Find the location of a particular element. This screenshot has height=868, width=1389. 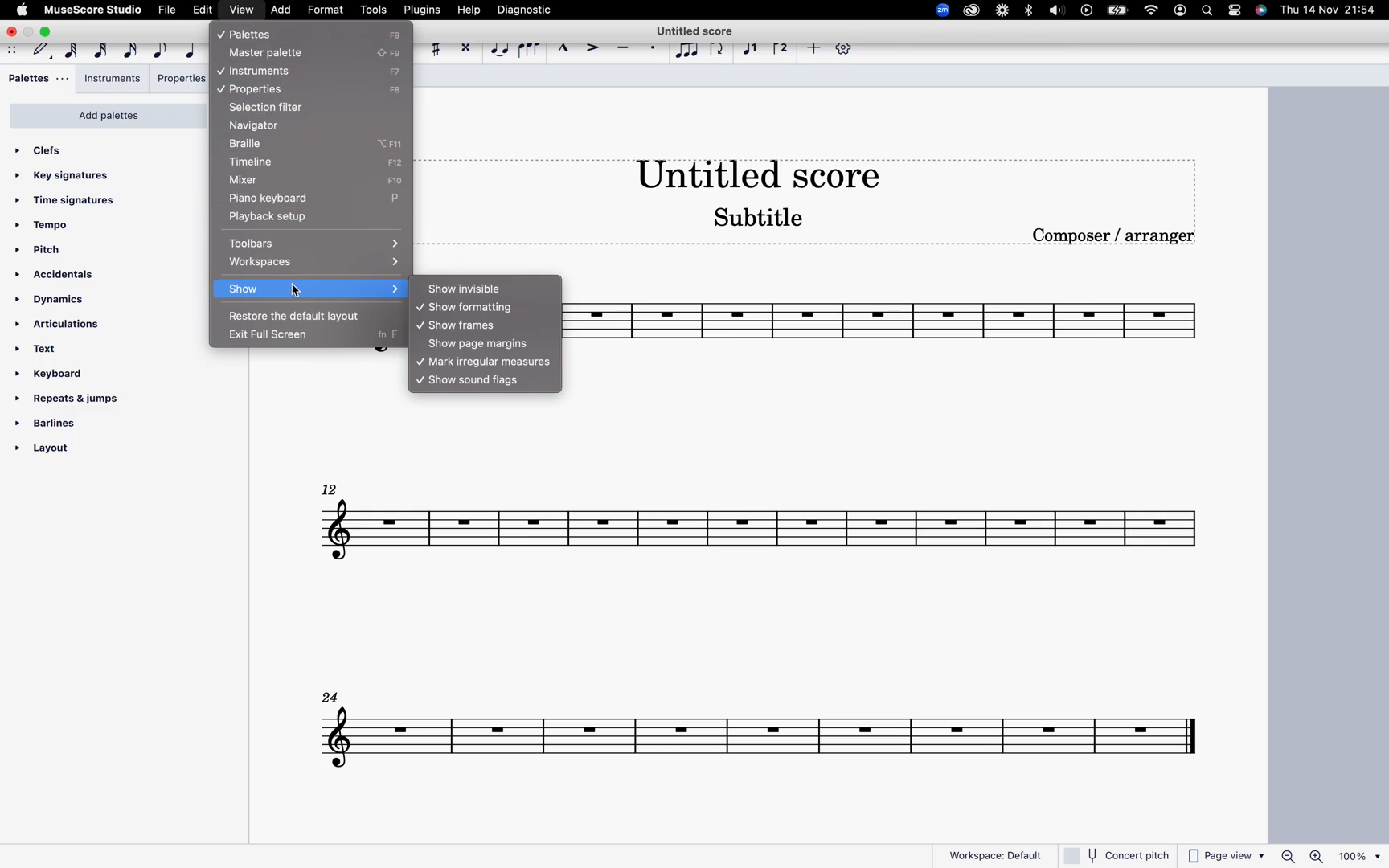

F10 is located at coordinates (398, 181).